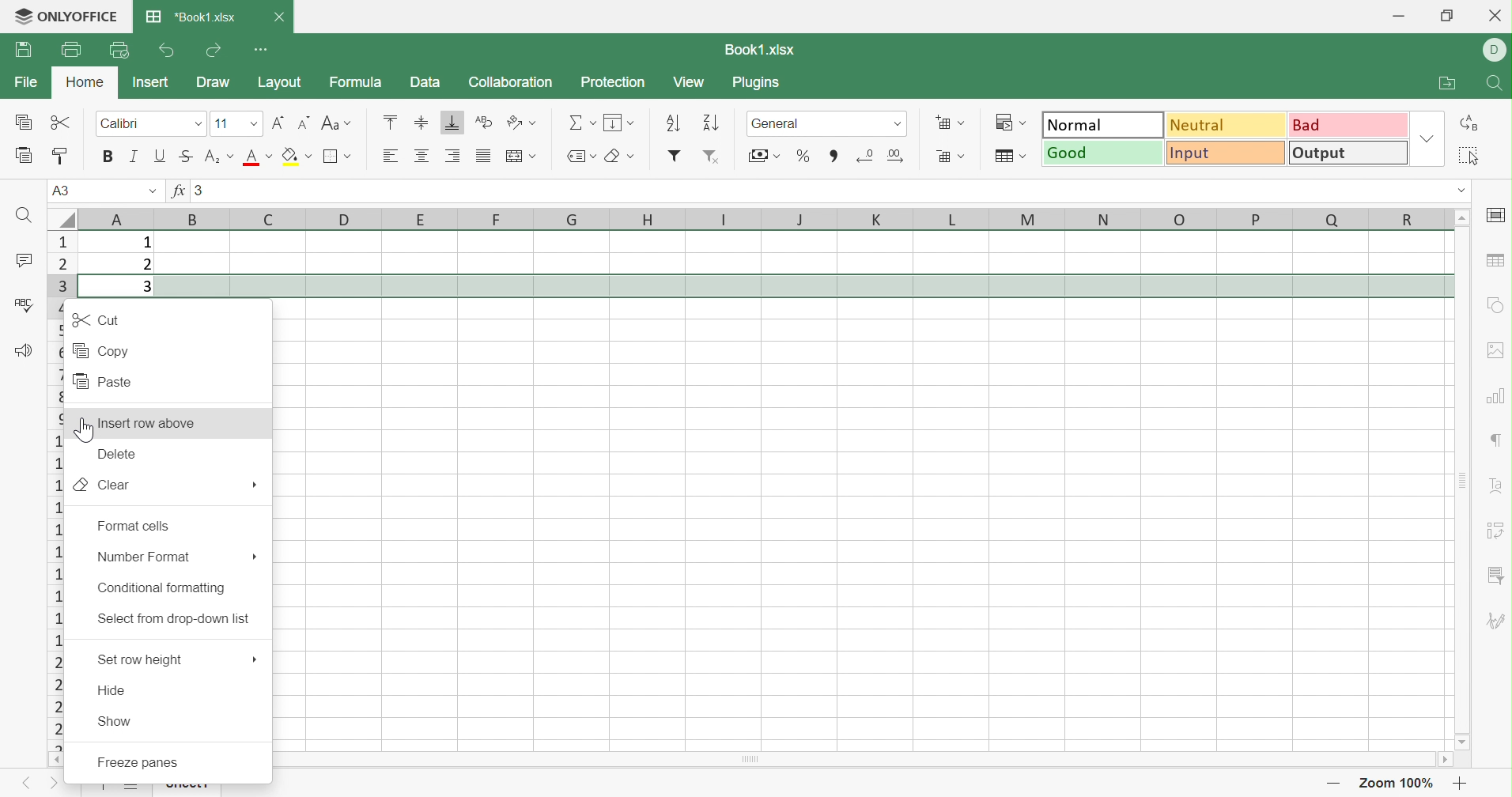  Describe the element at coordinates (1023, 155) in the screenshot. I see `Drop Down` at that location.